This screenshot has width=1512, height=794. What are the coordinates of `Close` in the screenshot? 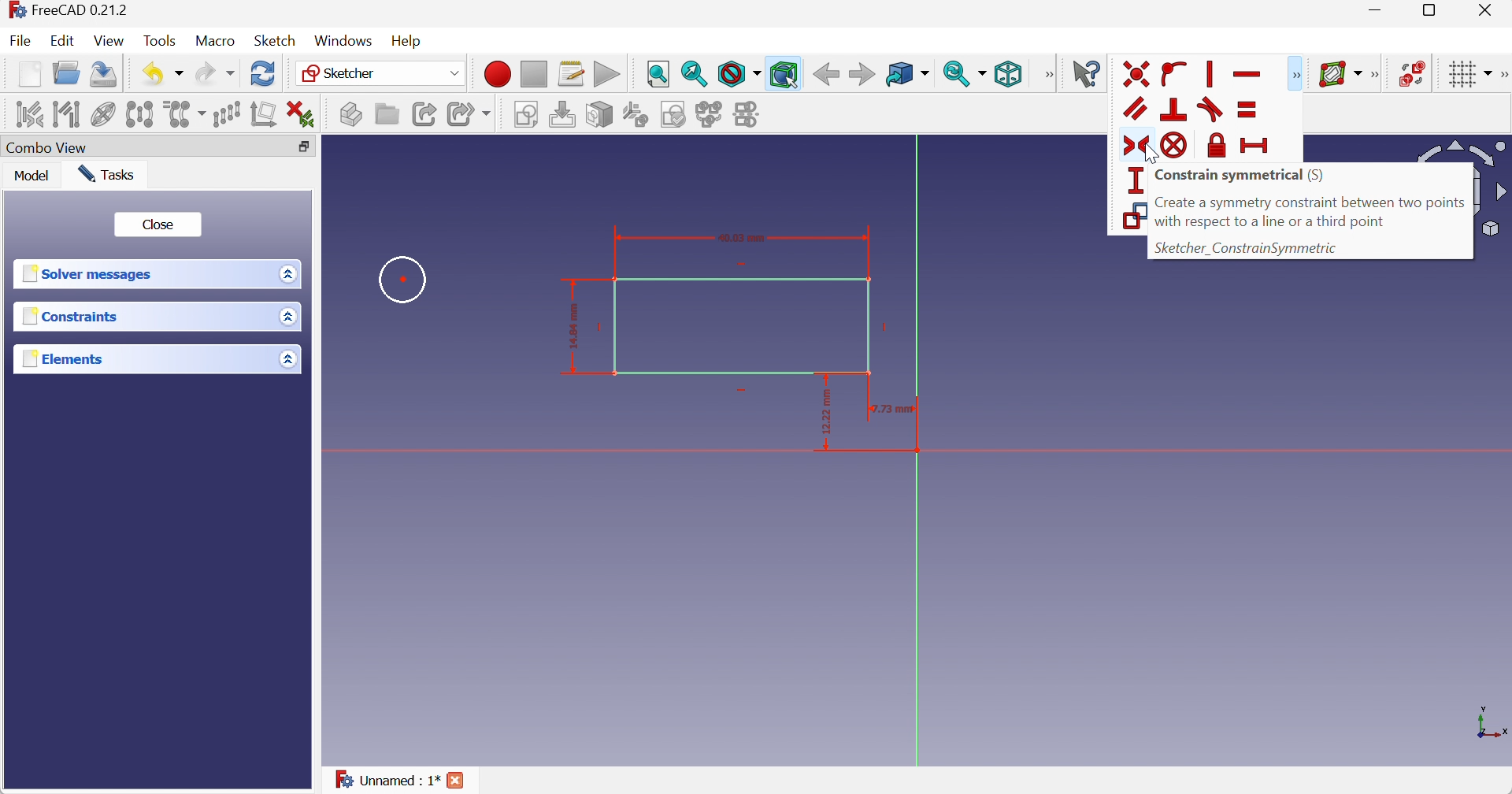 It's located at (161, 224).